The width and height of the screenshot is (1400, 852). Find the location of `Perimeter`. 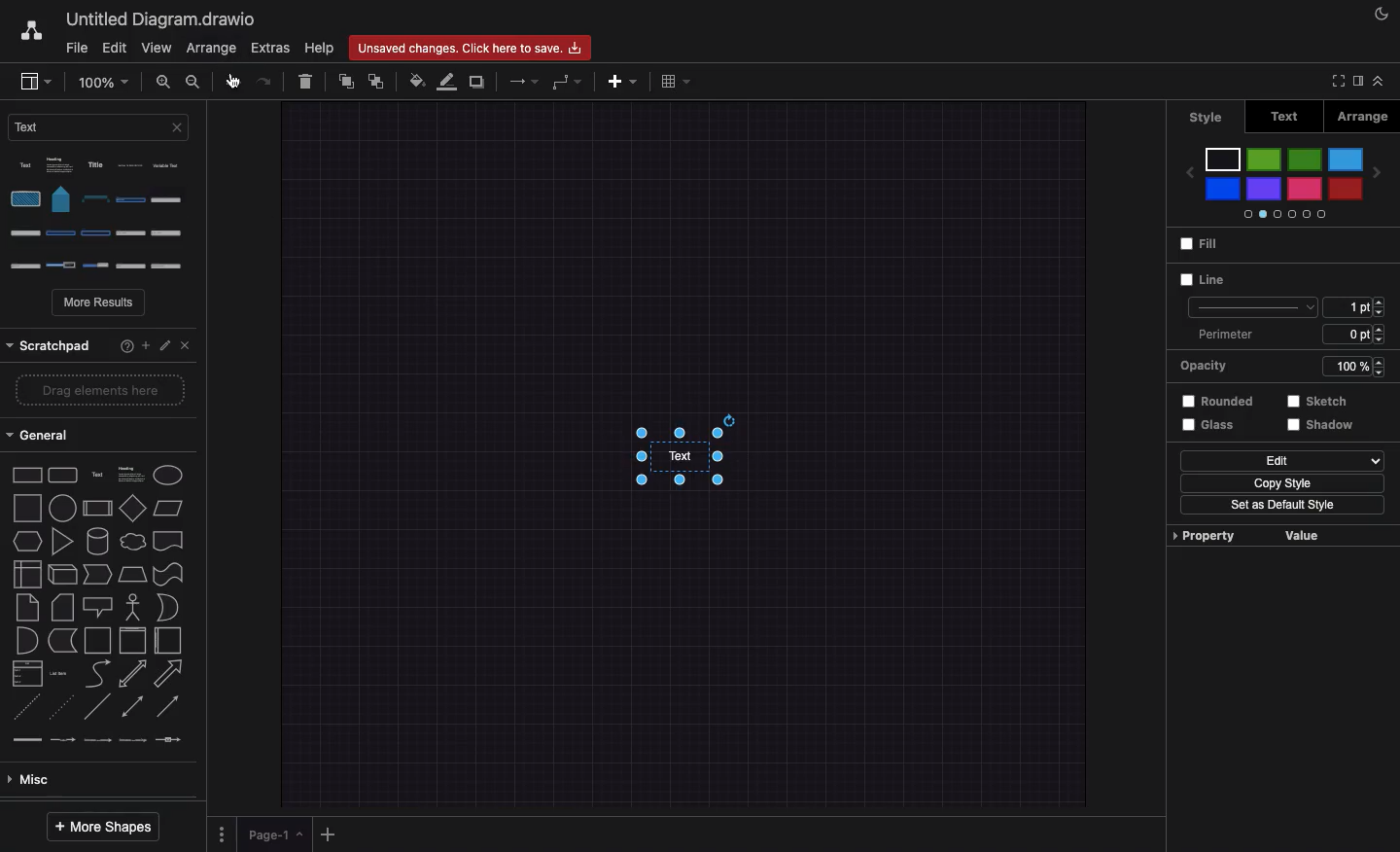

Perimeter is located at coordinates (1286, 335).